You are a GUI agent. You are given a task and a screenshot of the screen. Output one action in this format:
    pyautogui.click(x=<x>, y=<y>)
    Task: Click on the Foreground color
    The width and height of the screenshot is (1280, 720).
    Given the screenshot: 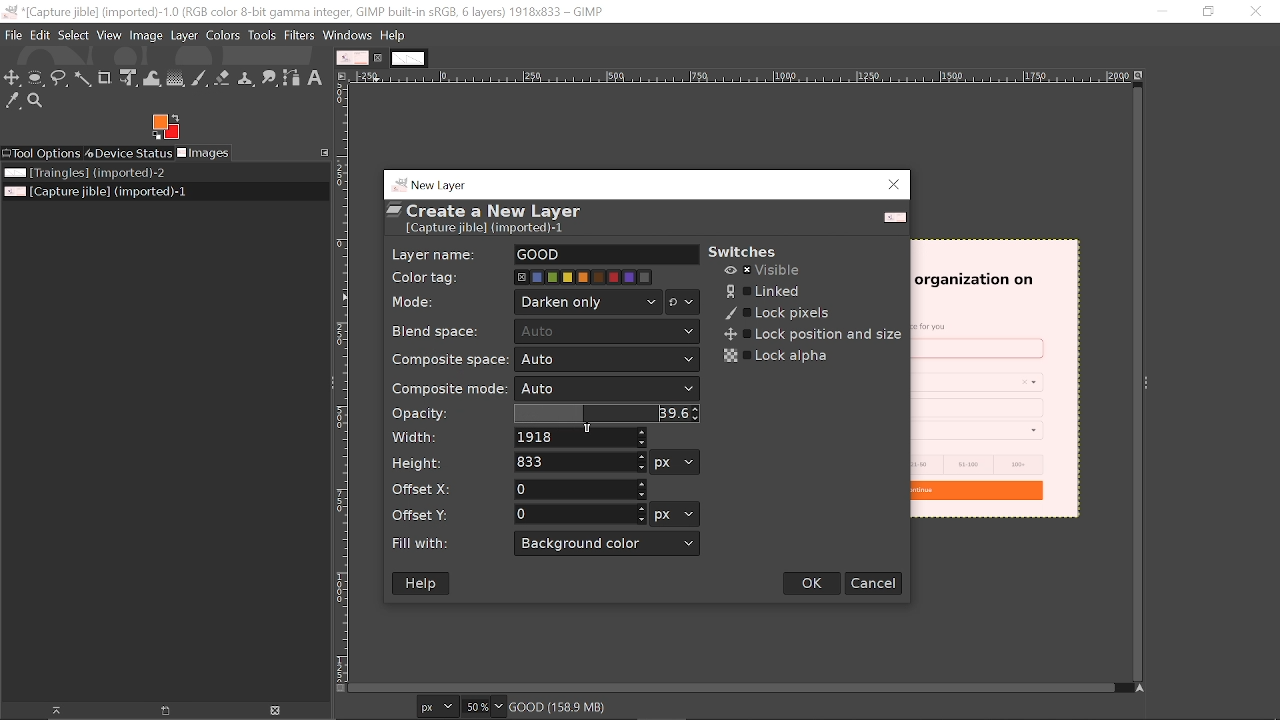 What is the action you would take?
    pyautogui.click(x=165, y=127)
    